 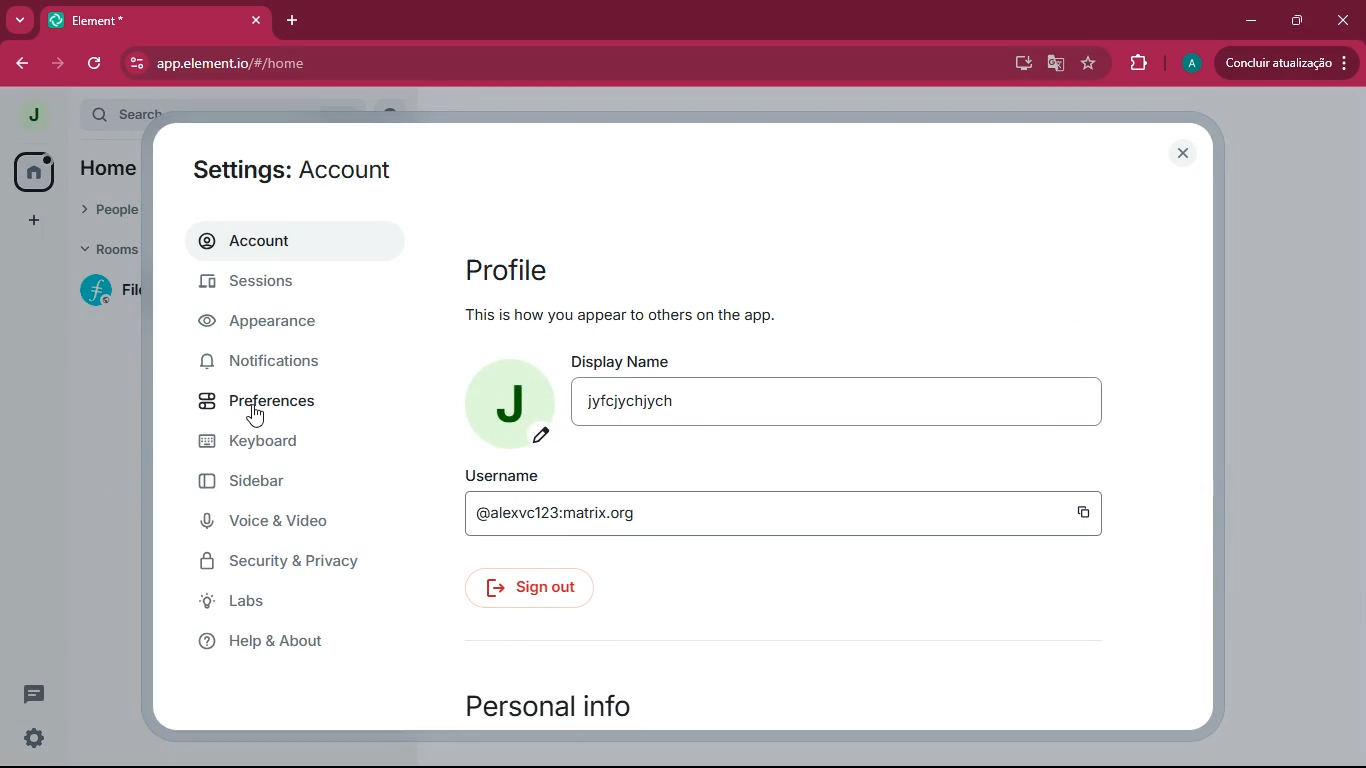 I want to click on copy, so click(x=1085, y=513).